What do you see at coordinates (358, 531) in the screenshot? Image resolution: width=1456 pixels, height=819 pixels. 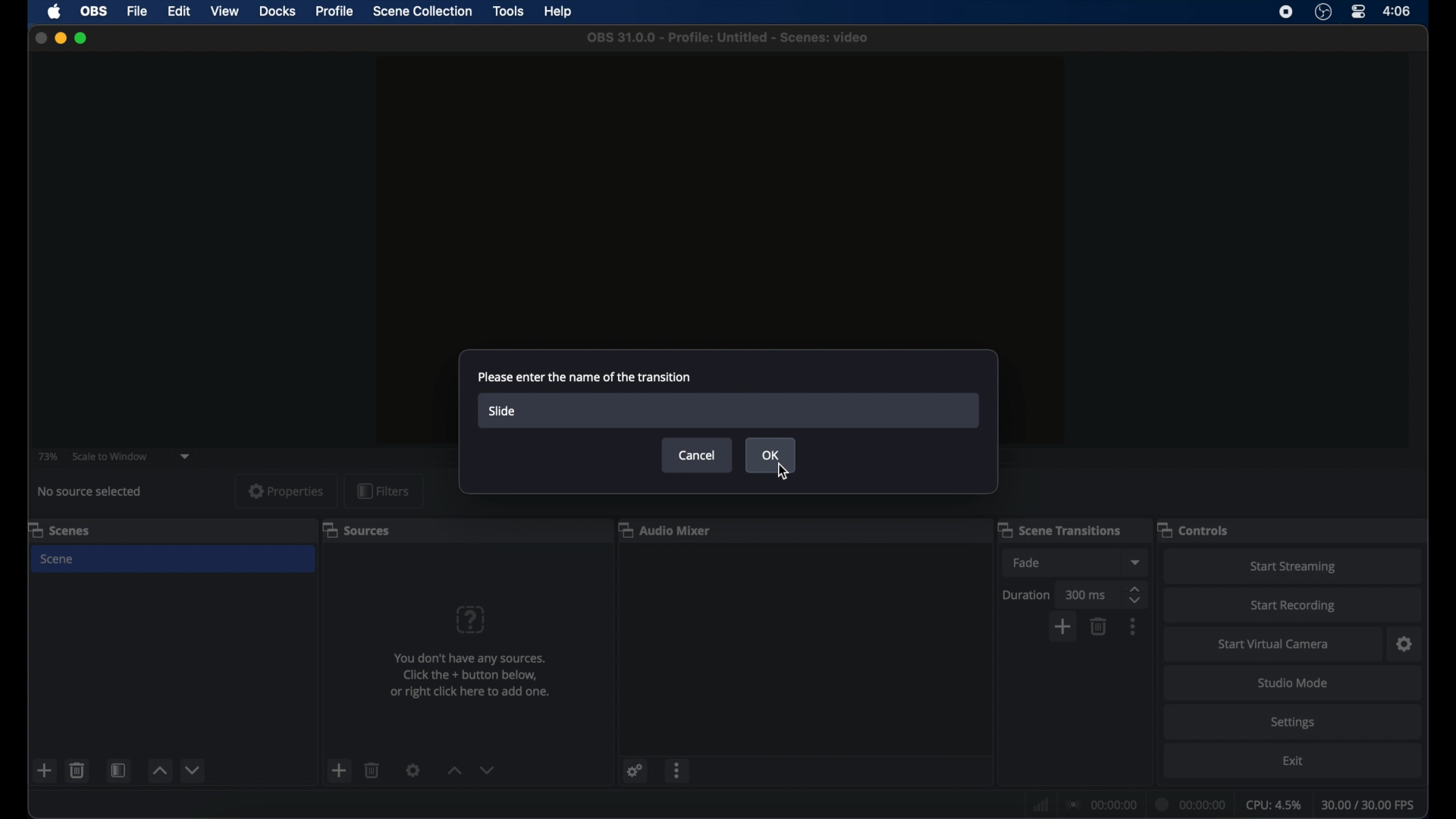 I see `sources` at bounding box center [358, 531].